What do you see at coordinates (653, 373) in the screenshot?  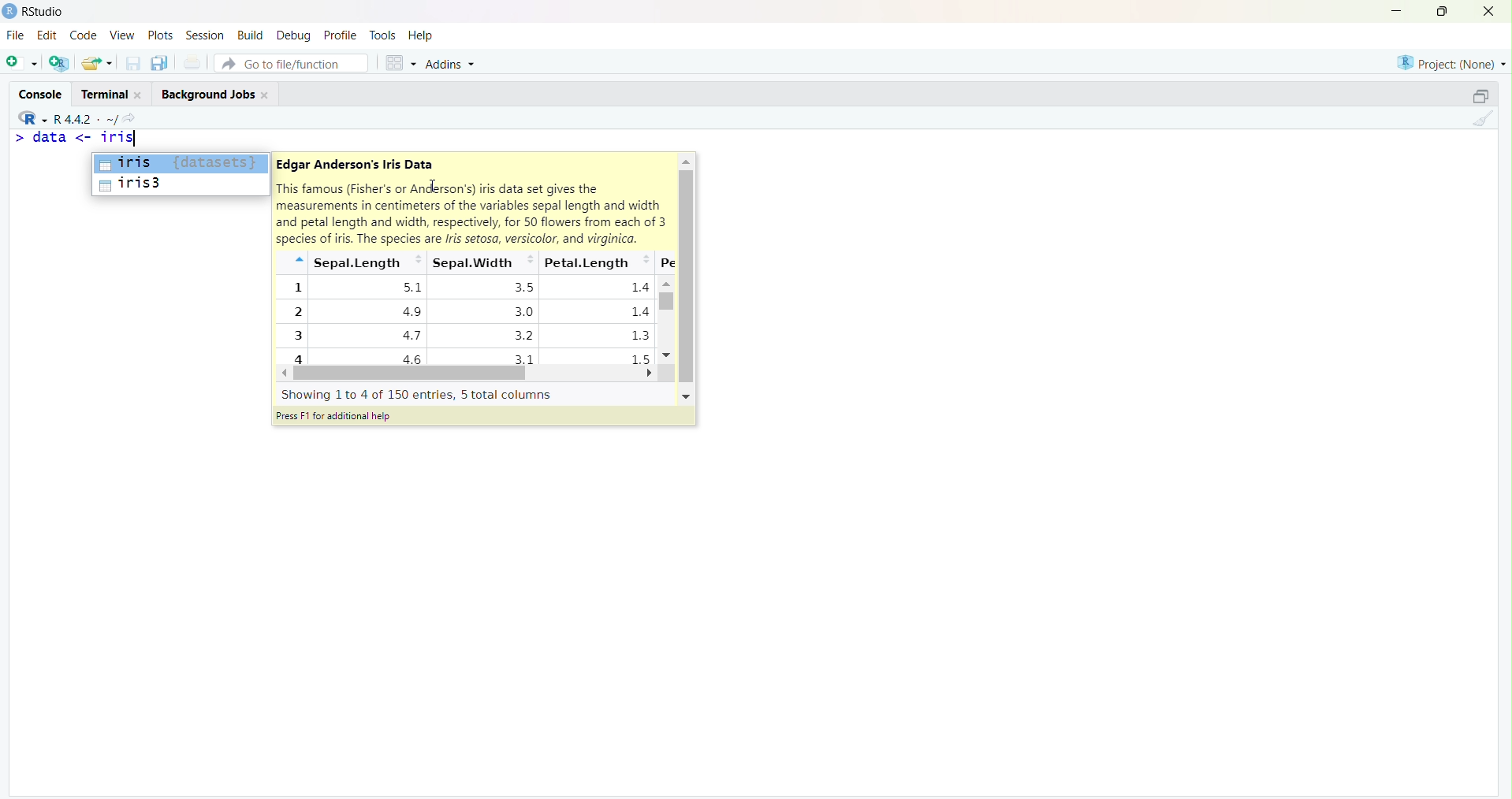 I see `Right` at bounding box center [653, 373].